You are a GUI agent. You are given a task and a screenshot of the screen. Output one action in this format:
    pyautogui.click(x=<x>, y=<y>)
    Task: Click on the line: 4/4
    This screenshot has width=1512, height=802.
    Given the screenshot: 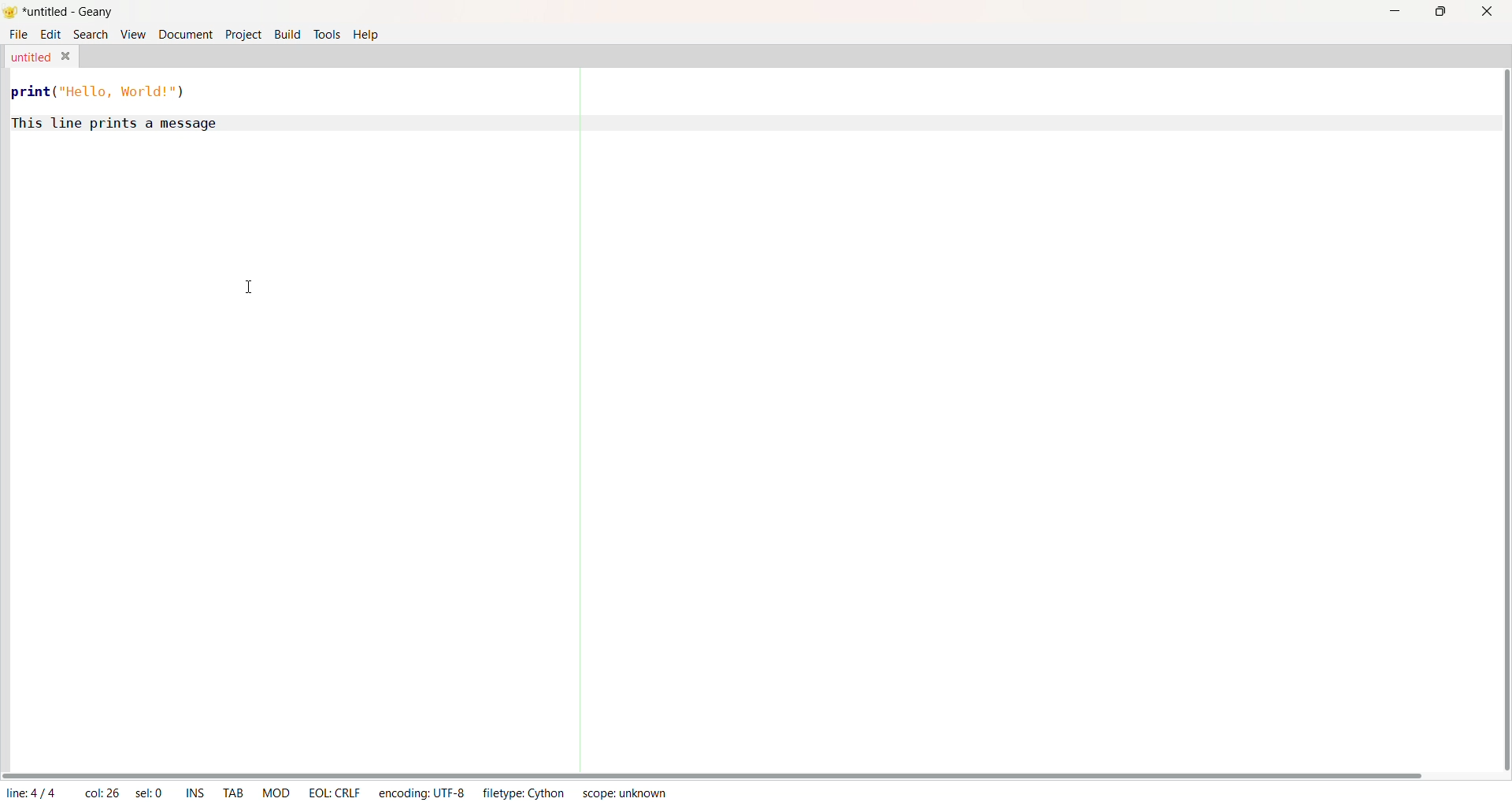 What is the action you would take?
    pyautogui.click(x=33, y=791)
    